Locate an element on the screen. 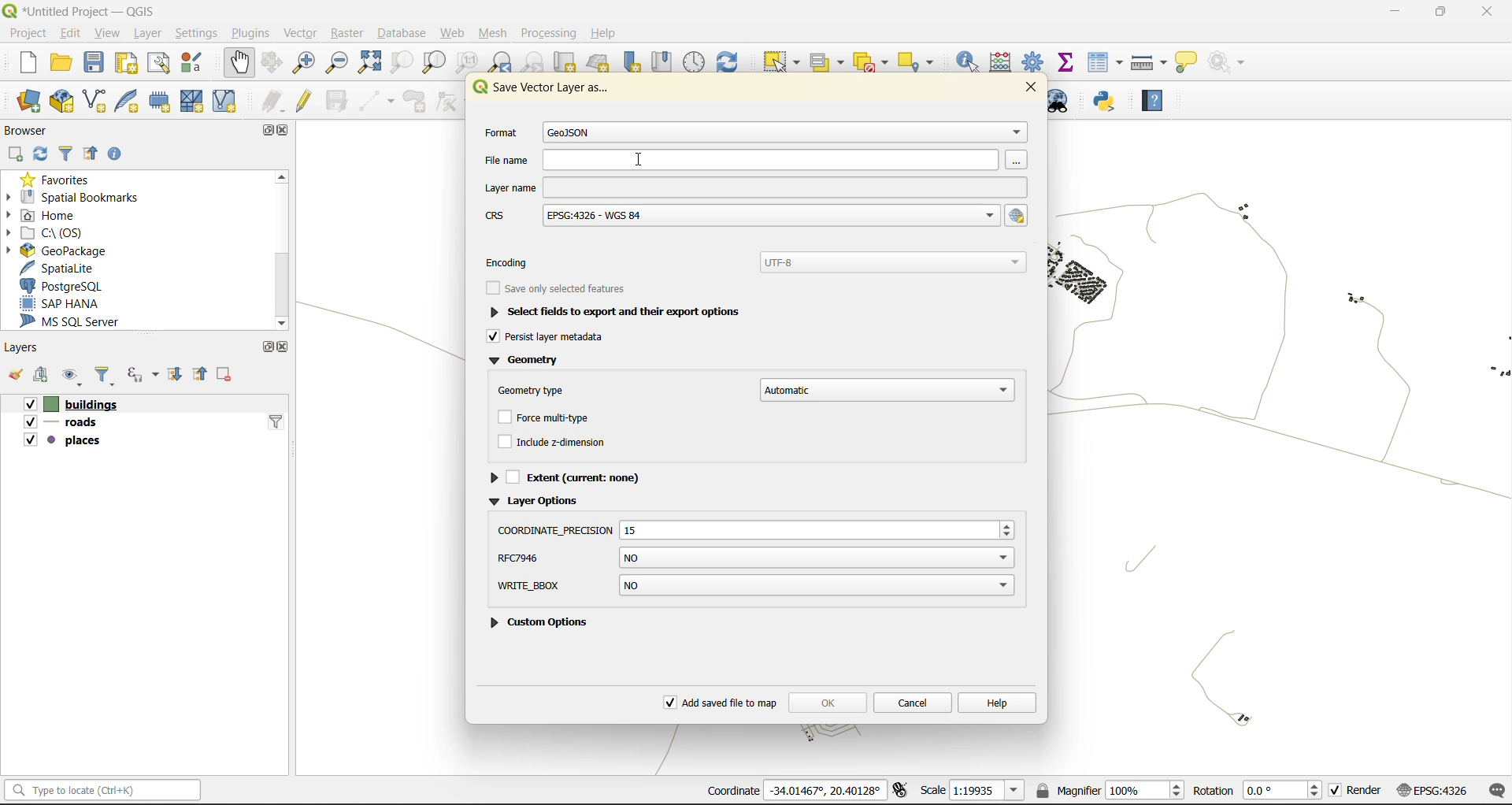 This screenshot has height=805, width=1512. new shapefile is located at coordinates (94, 100).